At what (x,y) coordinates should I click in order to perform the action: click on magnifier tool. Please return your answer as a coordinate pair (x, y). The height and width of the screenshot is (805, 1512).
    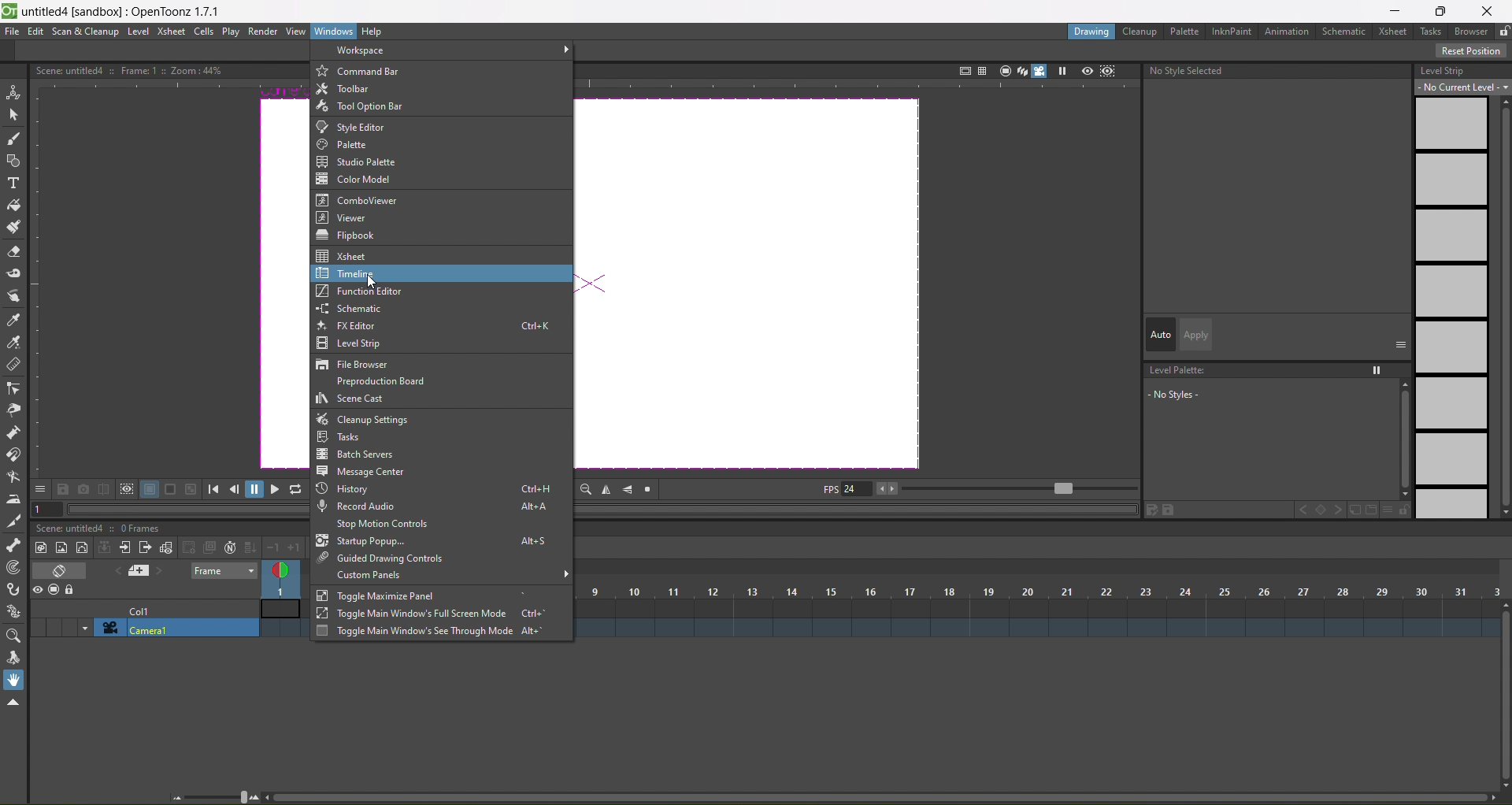
    Looking at the image, I should click on (17, 636).